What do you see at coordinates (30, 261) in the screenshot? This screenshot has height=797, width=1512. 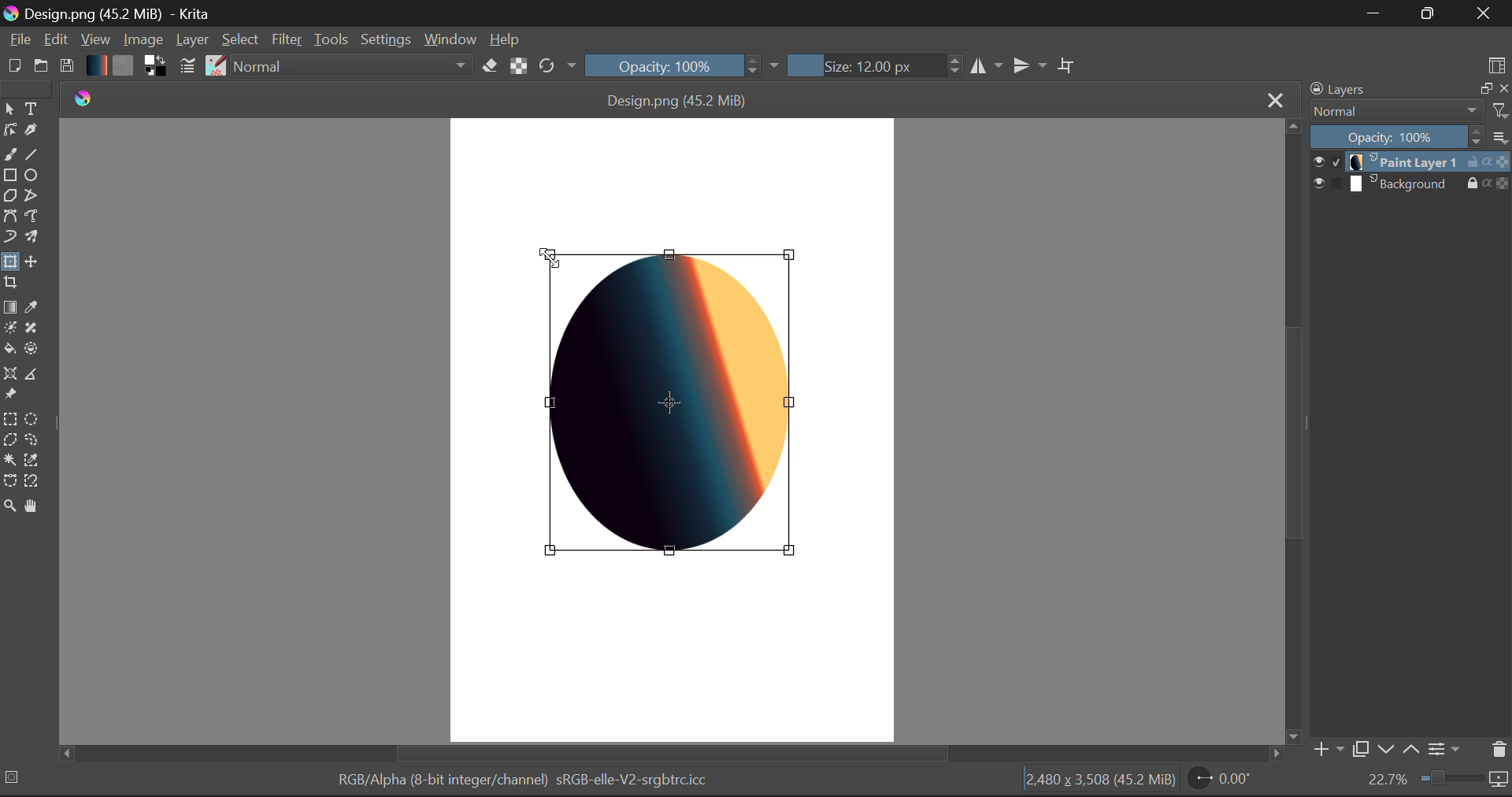 I see `Move Layer` at bounding box center [30, 261].